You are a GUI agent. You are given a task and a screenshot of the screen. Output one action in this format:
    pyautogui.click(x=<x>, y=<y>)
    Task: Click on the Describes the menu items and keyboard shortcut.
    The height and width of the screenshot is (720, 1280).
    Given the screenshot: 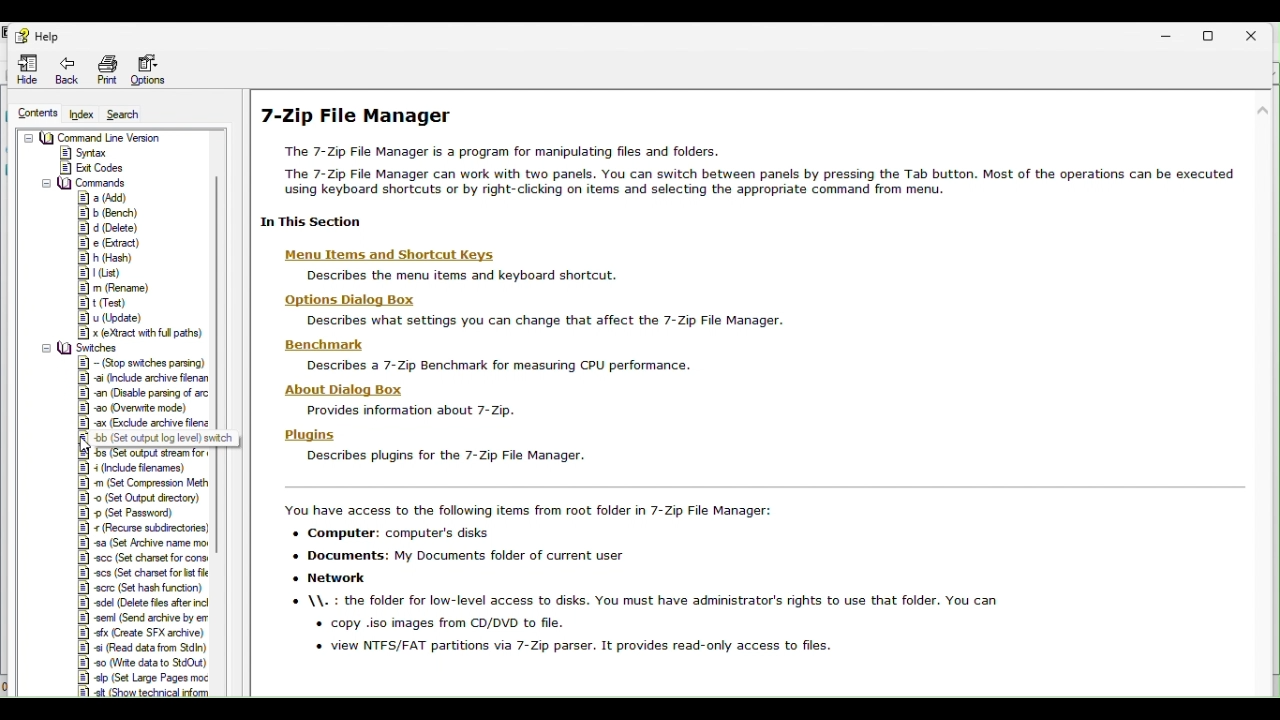 What is the action you would take?
    pyautogui.click(x=456, y=276)
    